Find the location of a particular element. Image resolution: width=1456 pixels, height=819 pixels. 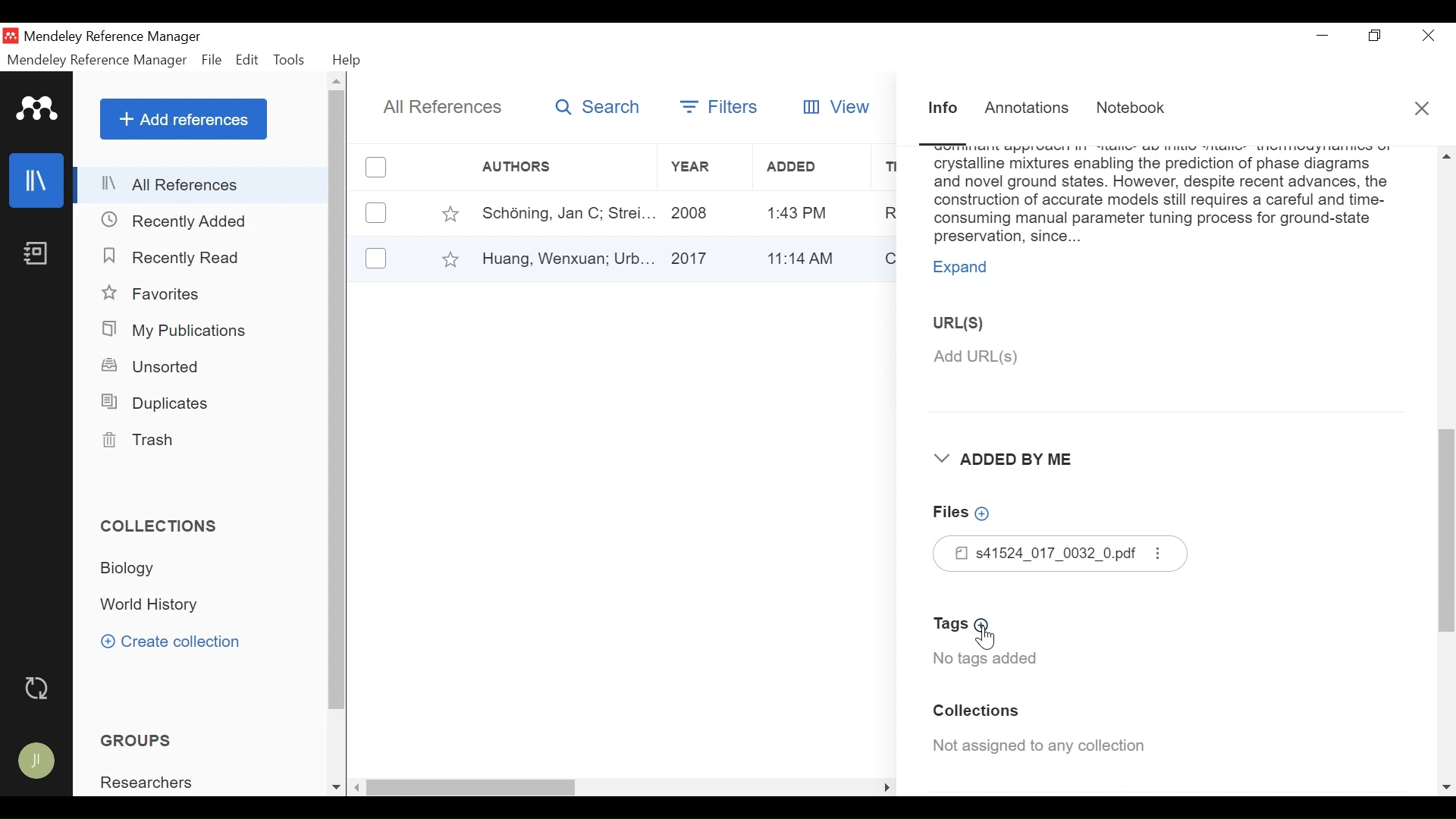

Added is located at coordinates (807, 256).